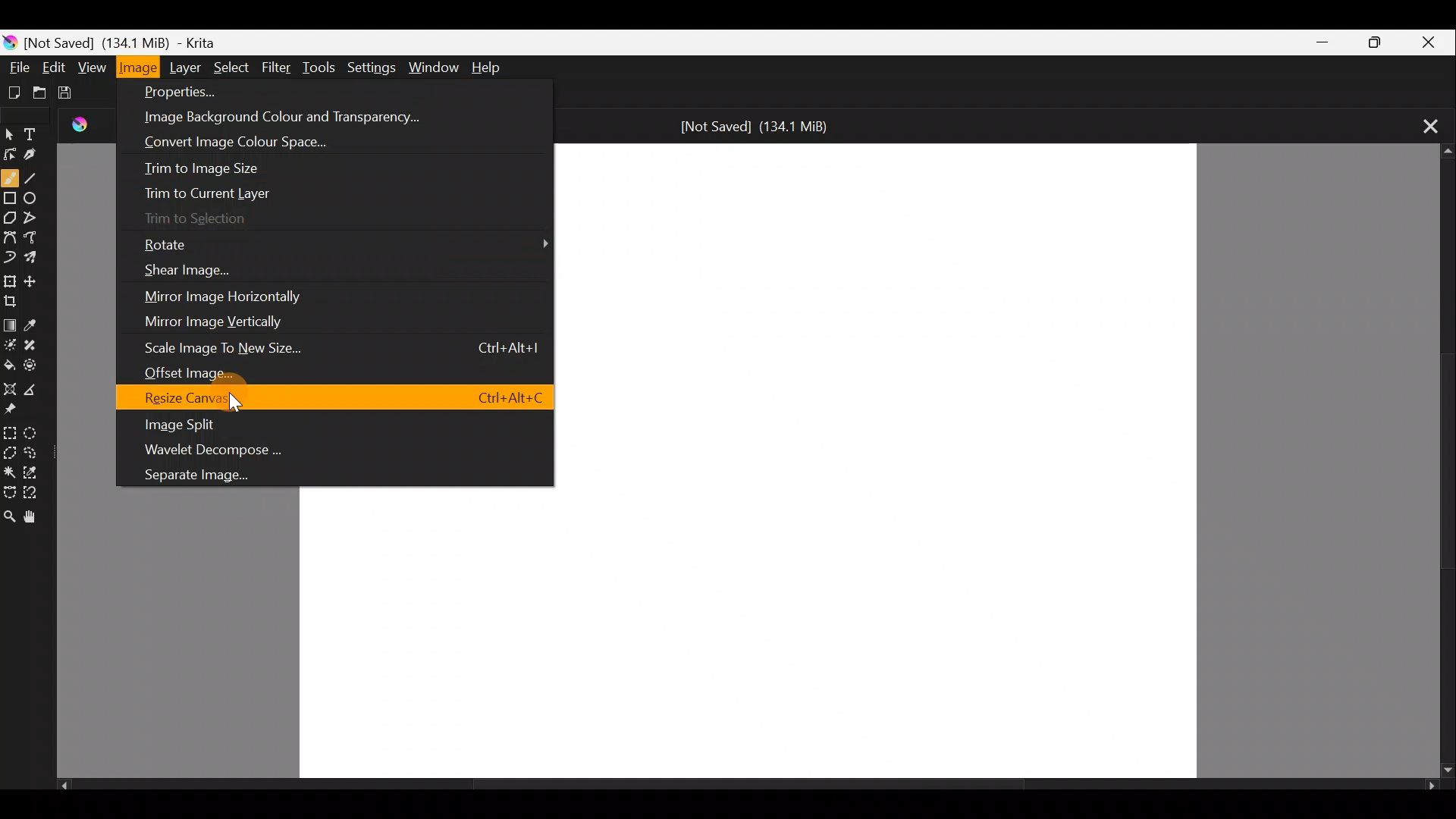 The height and width of the screenshot is (819, 1456). I want to click on Close tab, so click(1424, 124).